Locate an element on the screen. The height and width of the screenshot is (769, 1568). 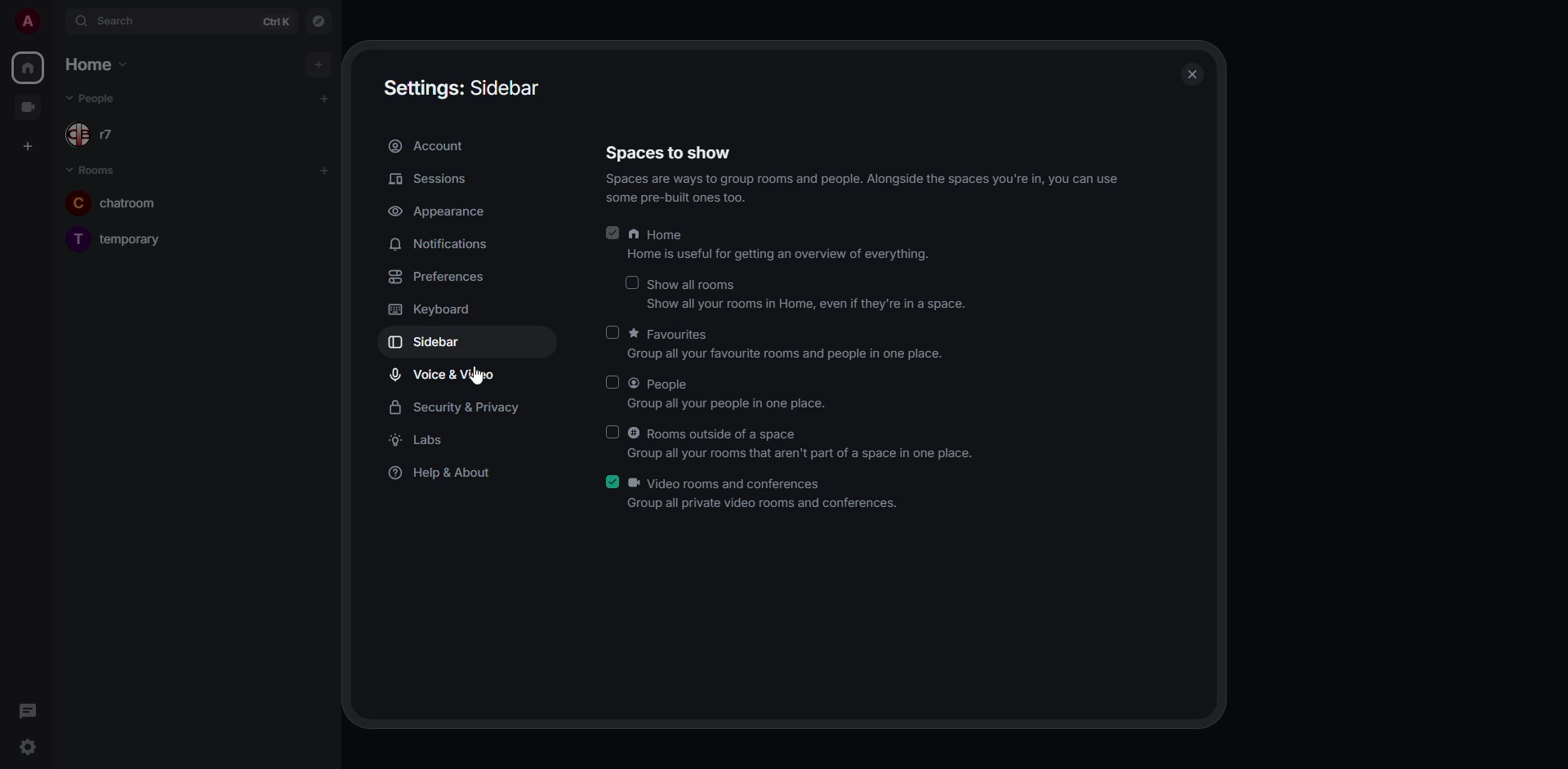
create space is located at coordinates (32, 145).